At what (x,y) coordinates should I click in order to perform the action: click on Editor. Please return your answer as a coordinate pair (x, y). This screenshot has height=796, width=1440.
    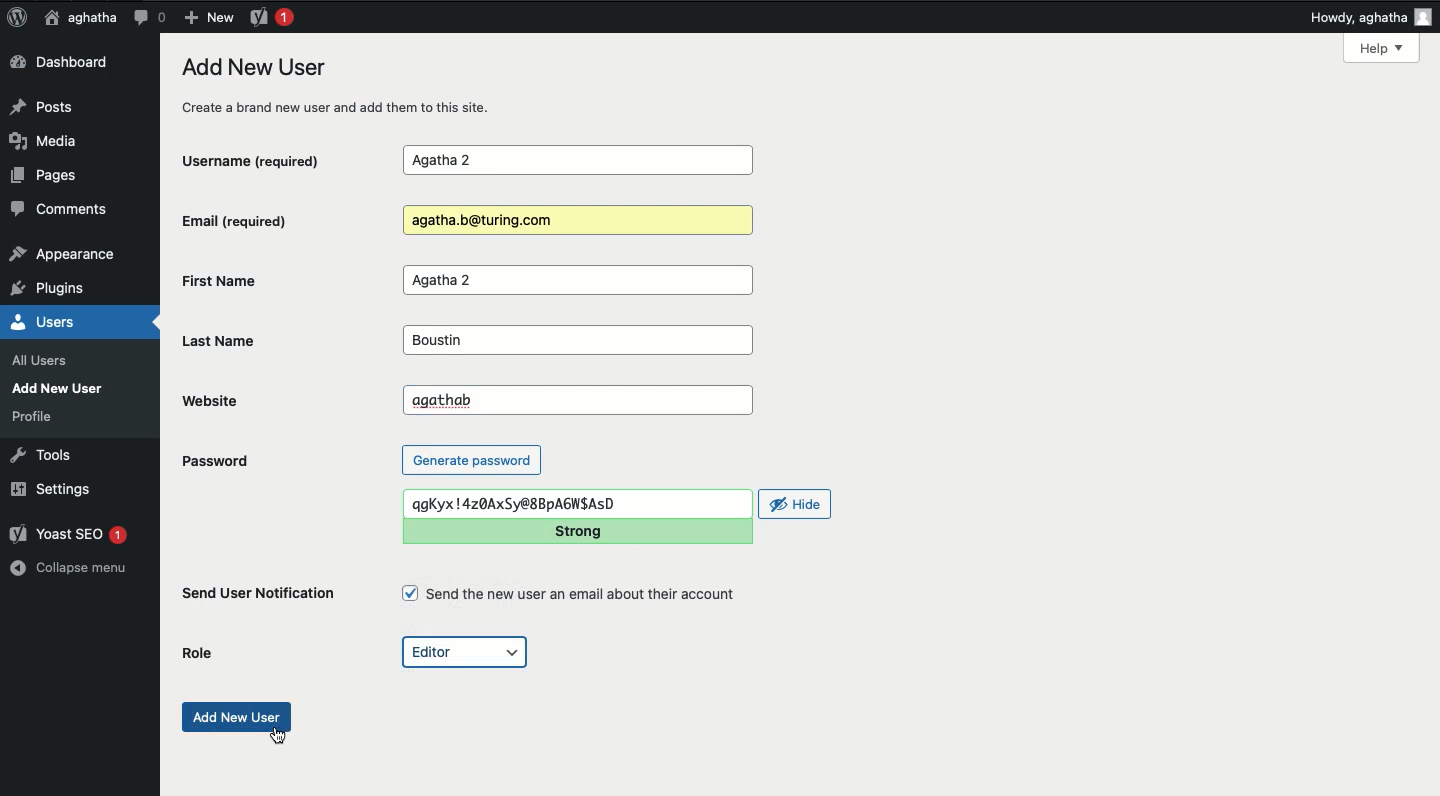
    Looking at the image, I should click on (465, 653).